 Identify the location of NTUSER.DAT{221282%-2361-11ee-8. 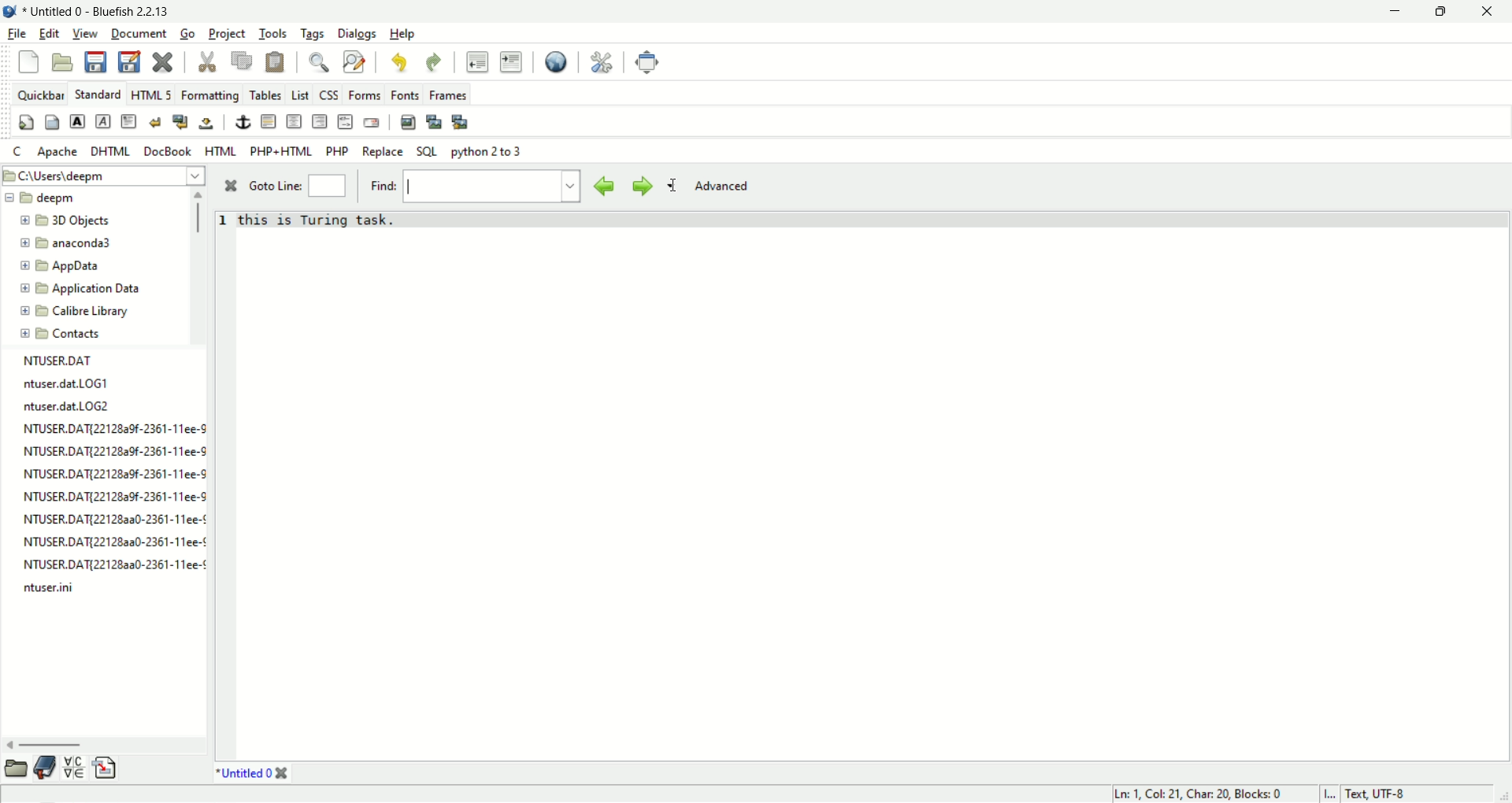
(106, 451).